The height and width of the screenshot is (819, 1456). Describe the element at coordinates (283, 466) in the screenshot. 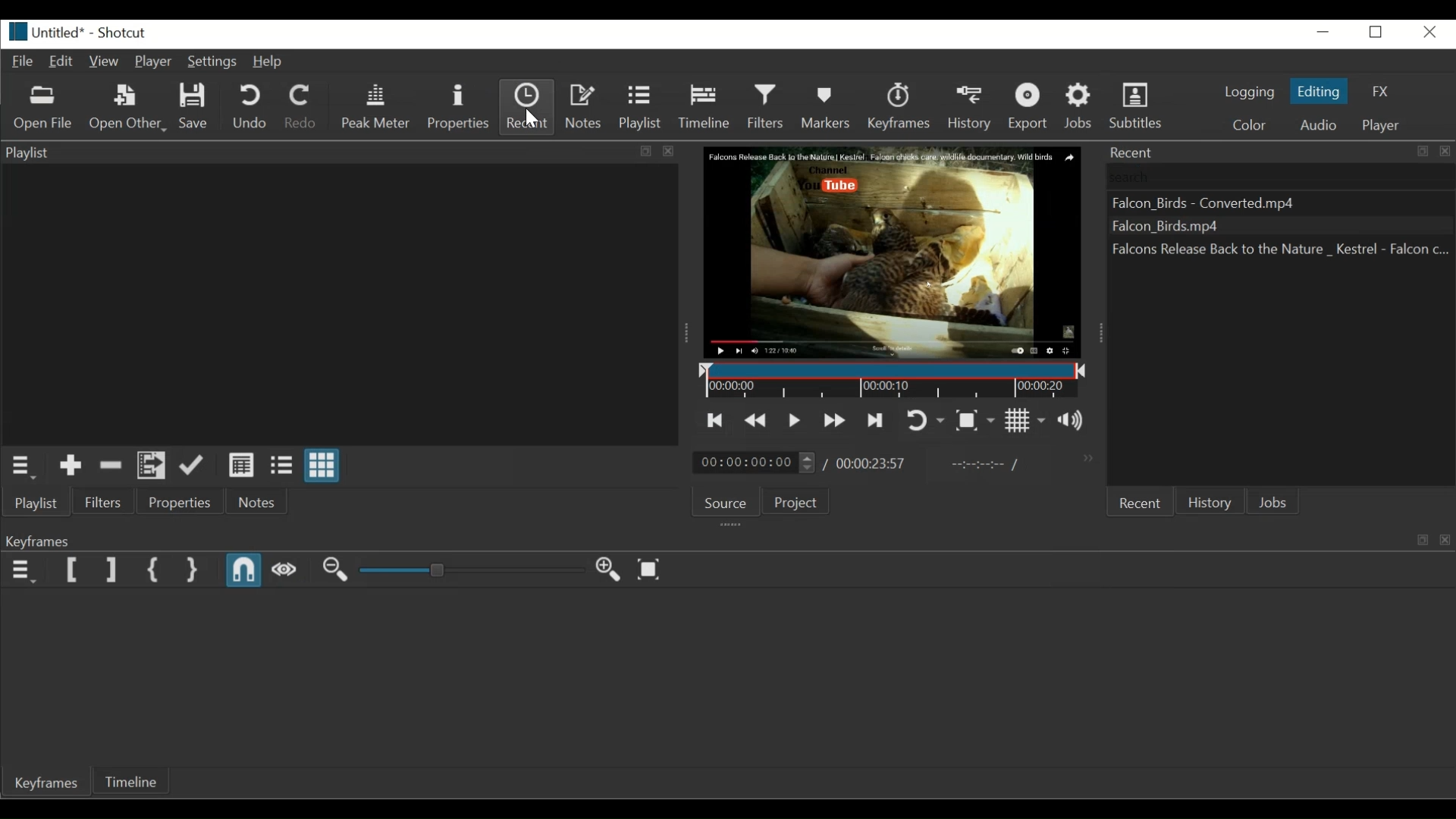

I see `View as file` at that location.